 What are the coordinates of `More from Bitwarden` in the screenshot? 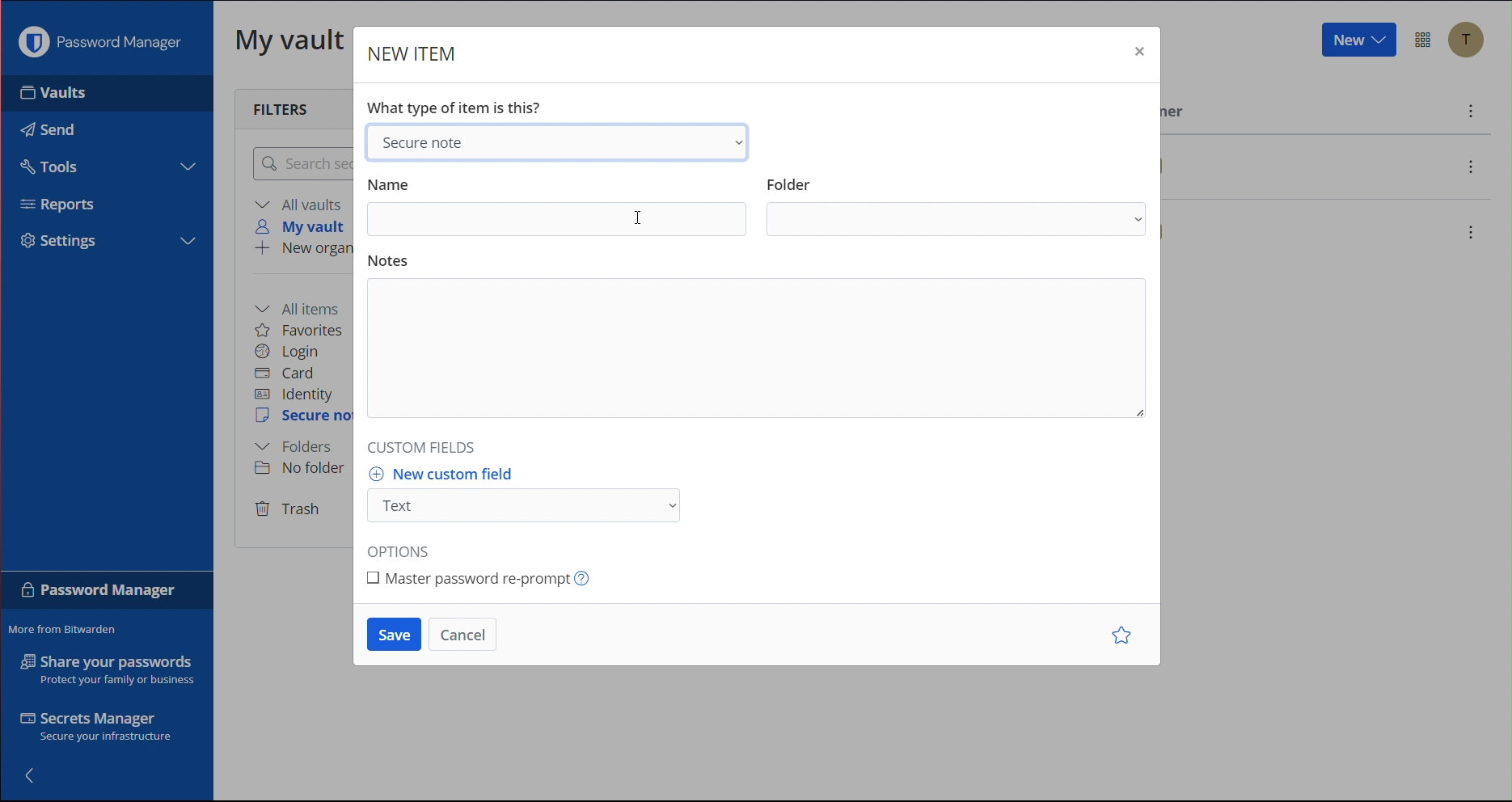 It's located at (78, 629).